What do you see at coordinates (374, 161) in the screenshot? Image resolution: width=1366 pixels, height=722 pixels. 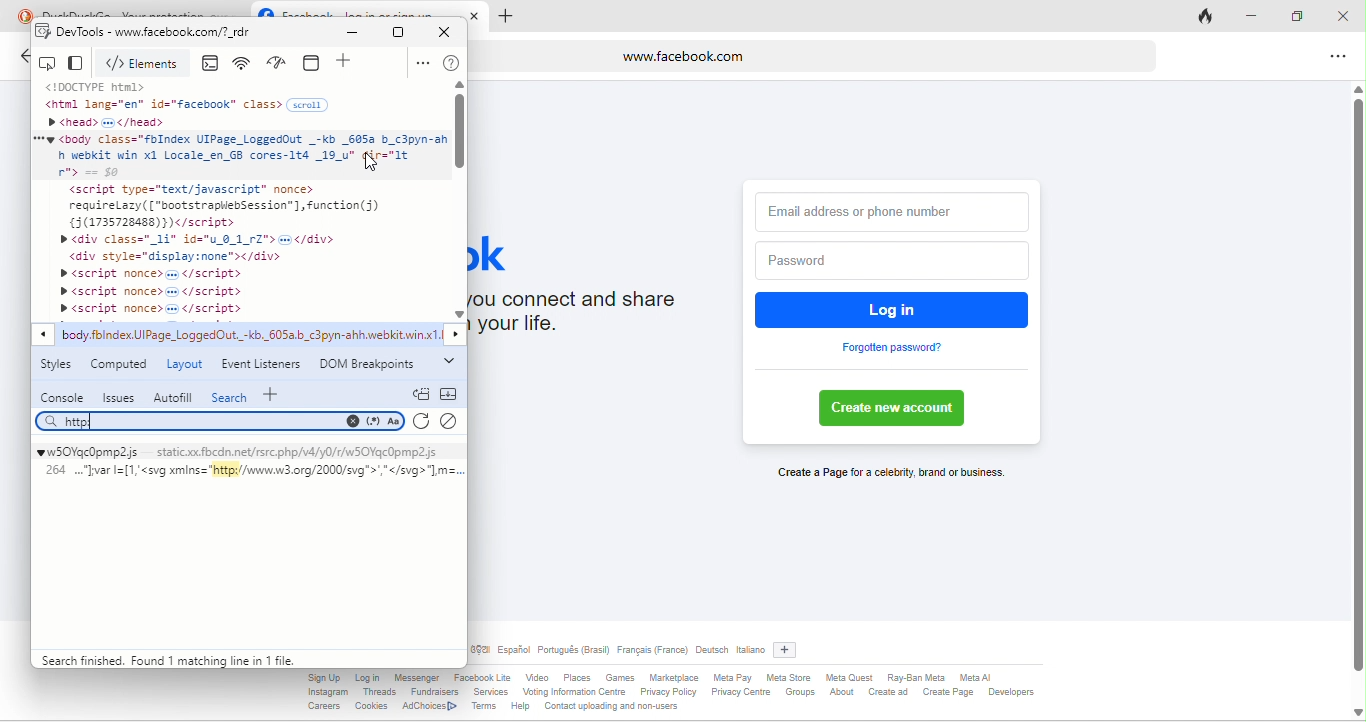 I see `cursor movement` at bounding box center [374, 161].